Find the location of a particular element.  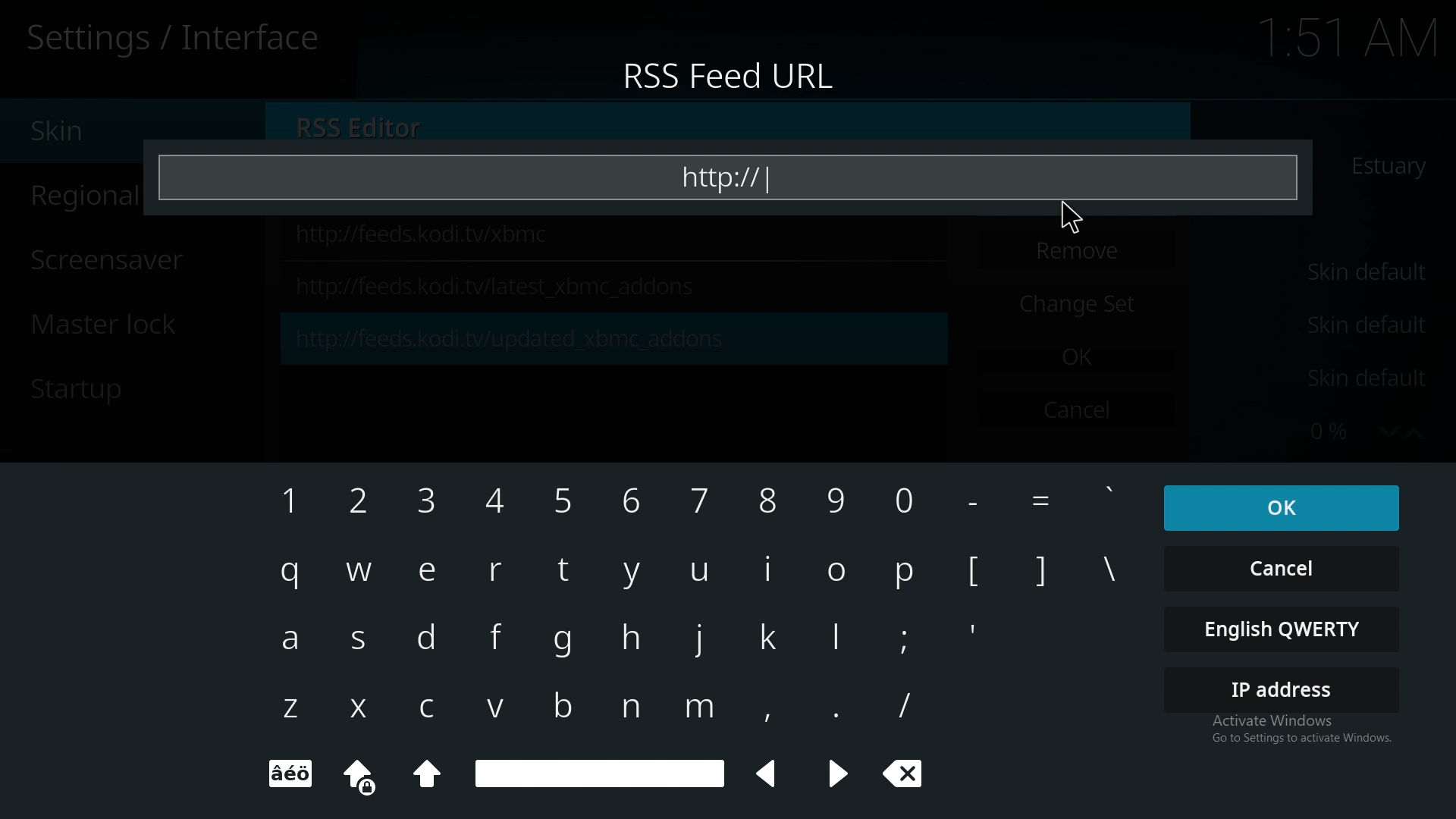

keyboard Input is located at coordinates (566, 501).